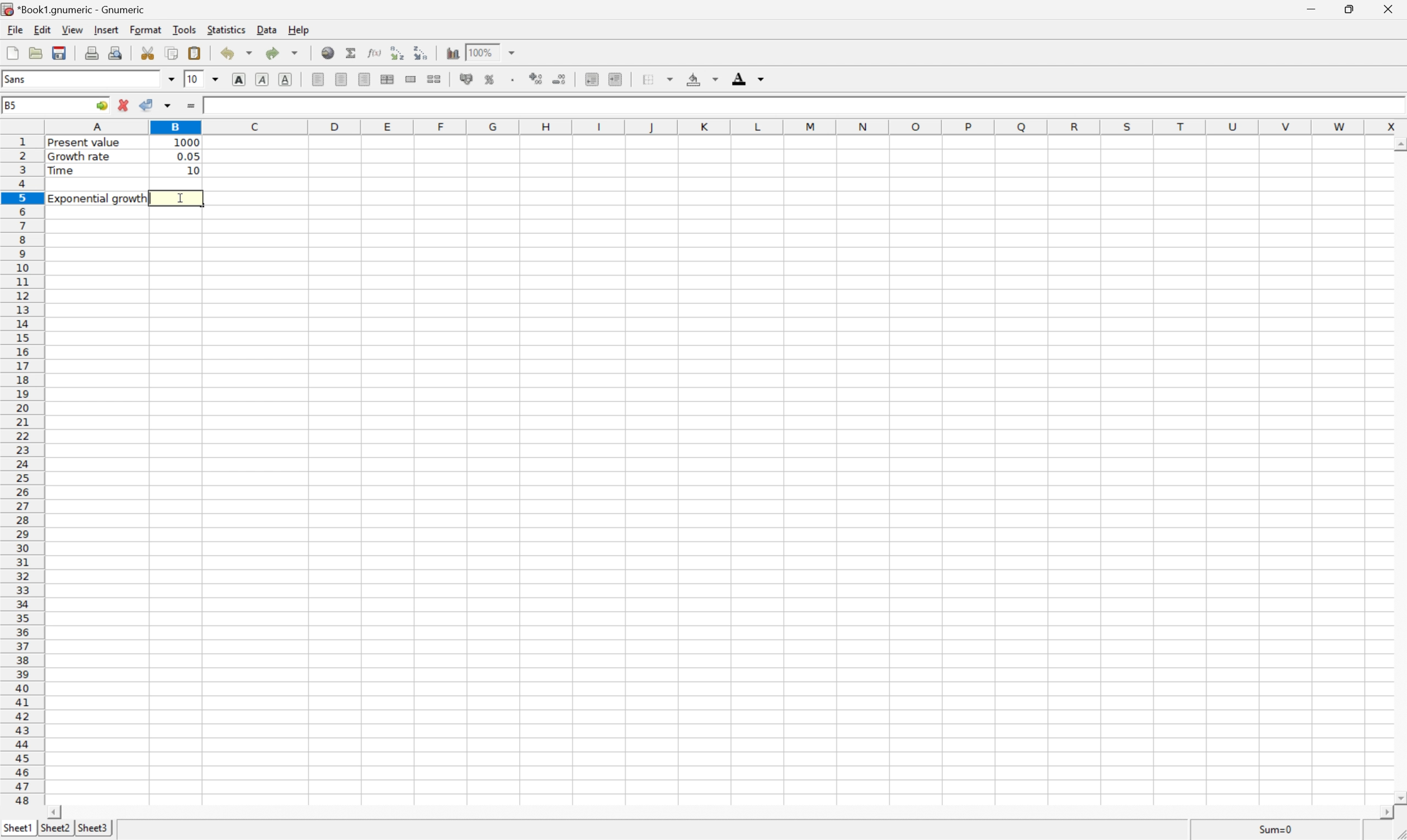 Image resolution: width=1407 pixels, height=840 pixels. I want to click on Minimize, so click(1311, 10).